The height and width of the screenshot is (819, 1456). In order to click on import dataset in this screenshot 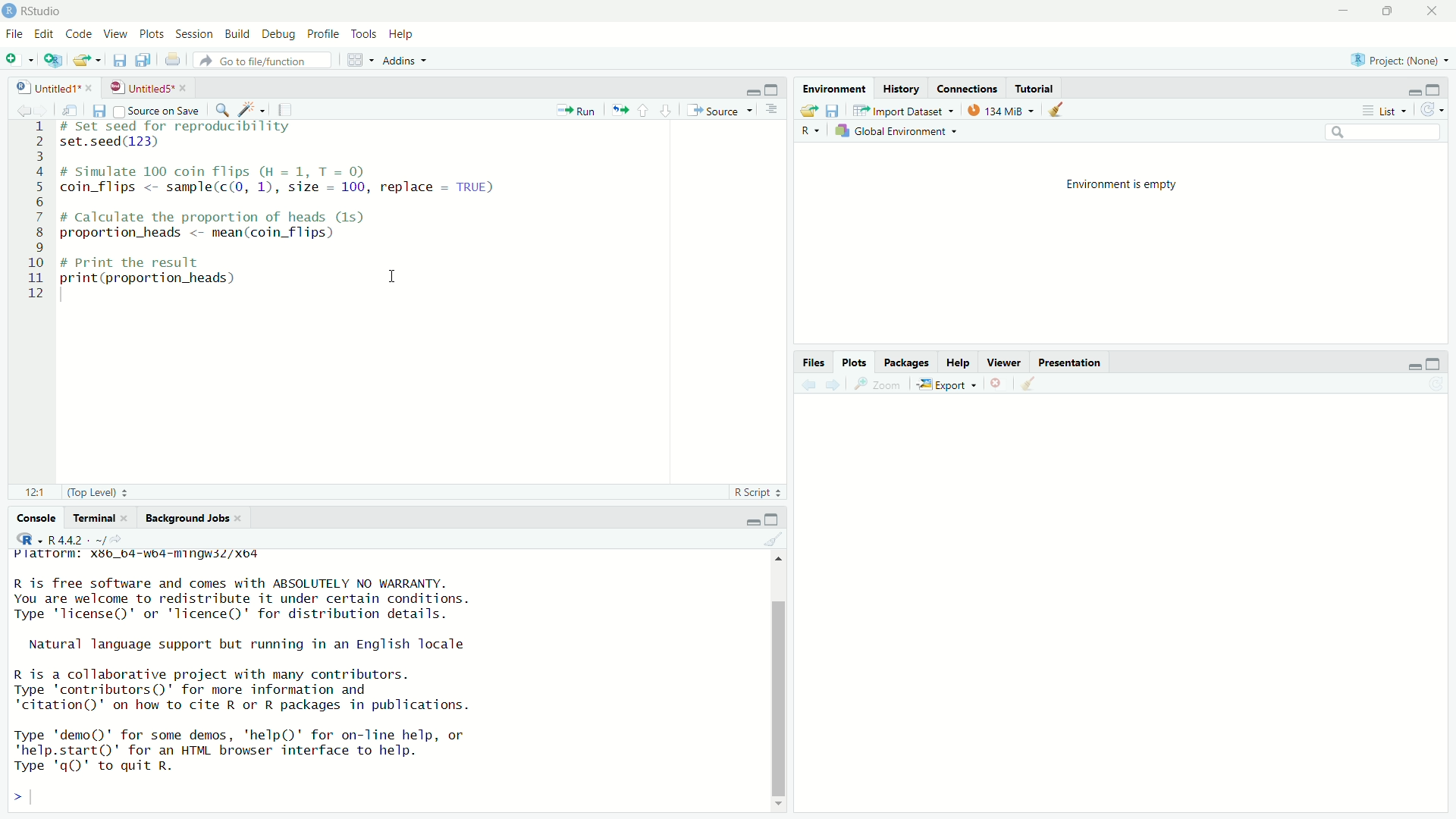, I will do `click(902, 108)`.